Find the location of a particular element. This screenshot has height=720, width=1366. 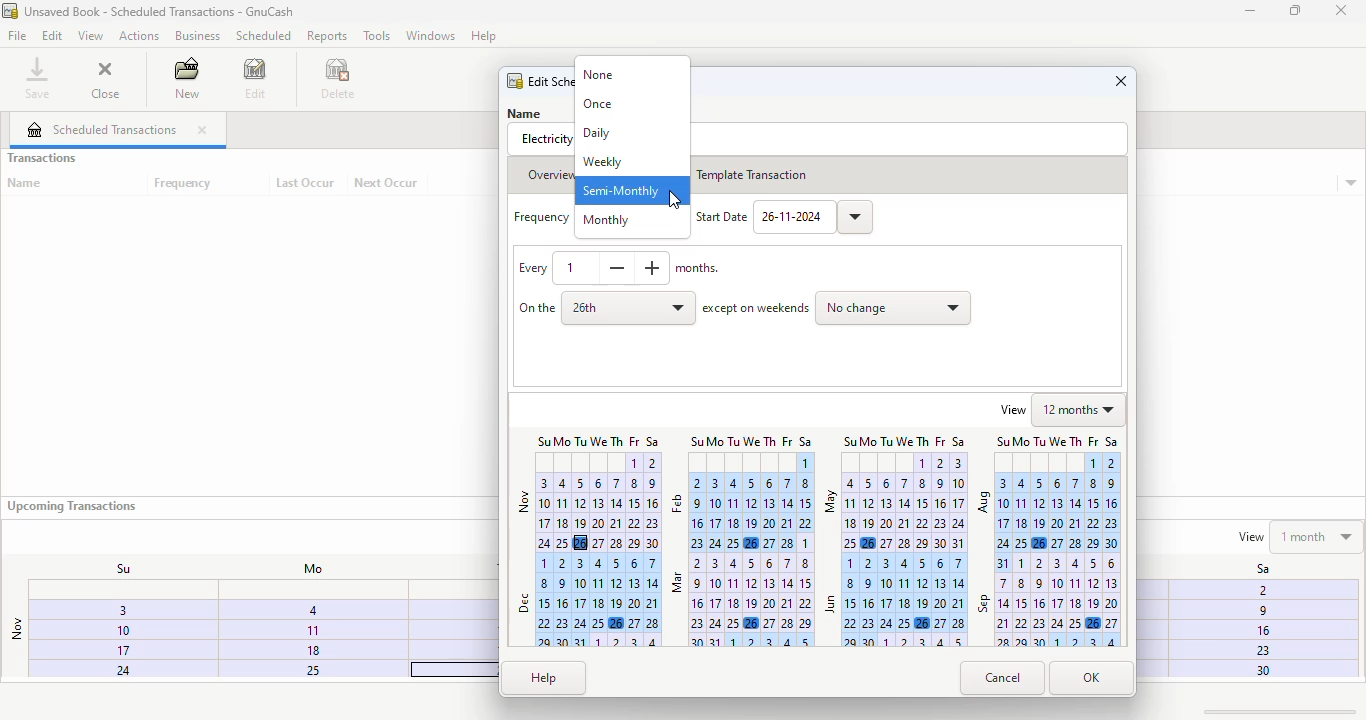

march calendar is located at coordinates (741, 601).